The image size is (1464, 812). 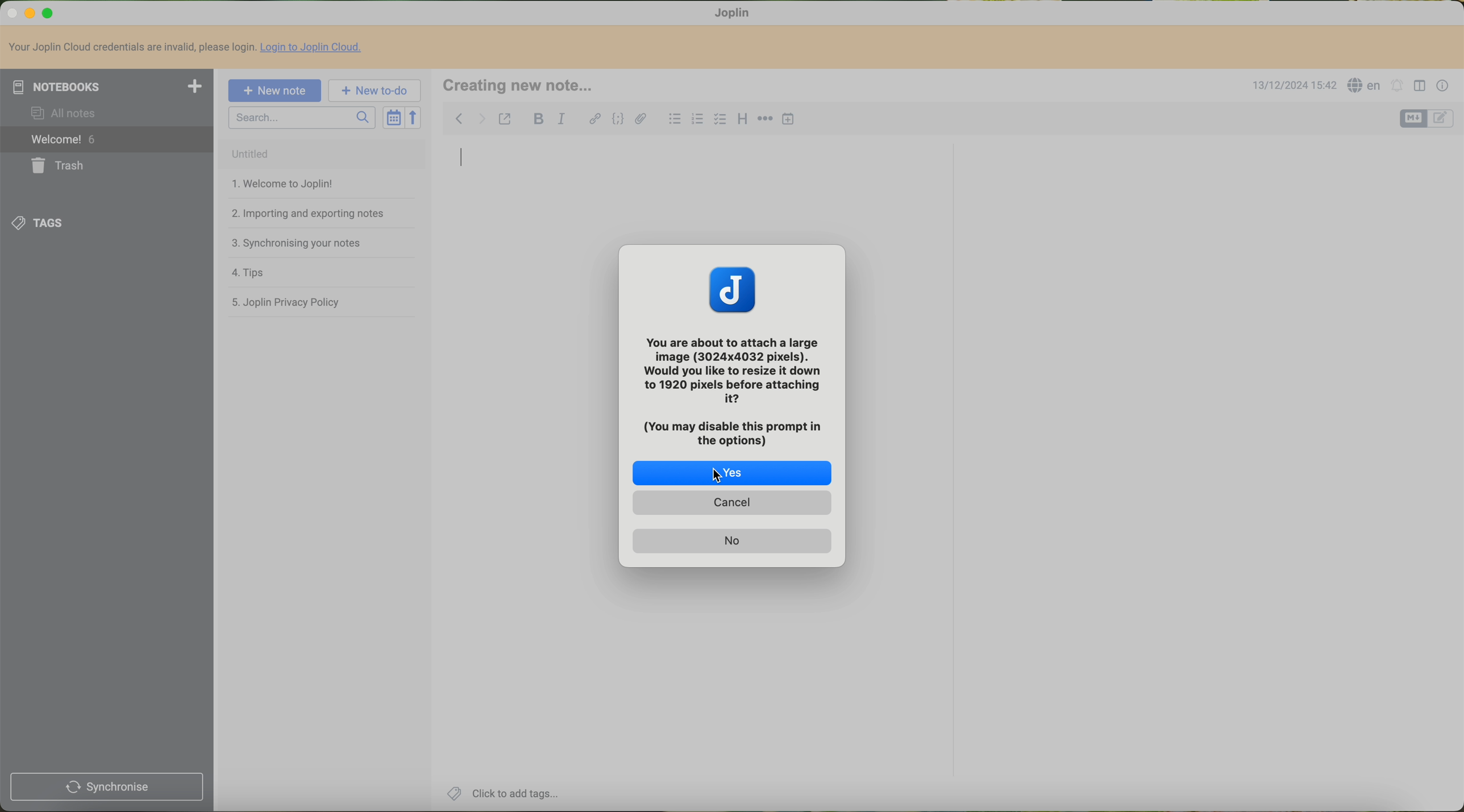 What do you see at coordinates (731, 473) in the screenshot?
I see `click on yes` at bounding box center [731, 473].